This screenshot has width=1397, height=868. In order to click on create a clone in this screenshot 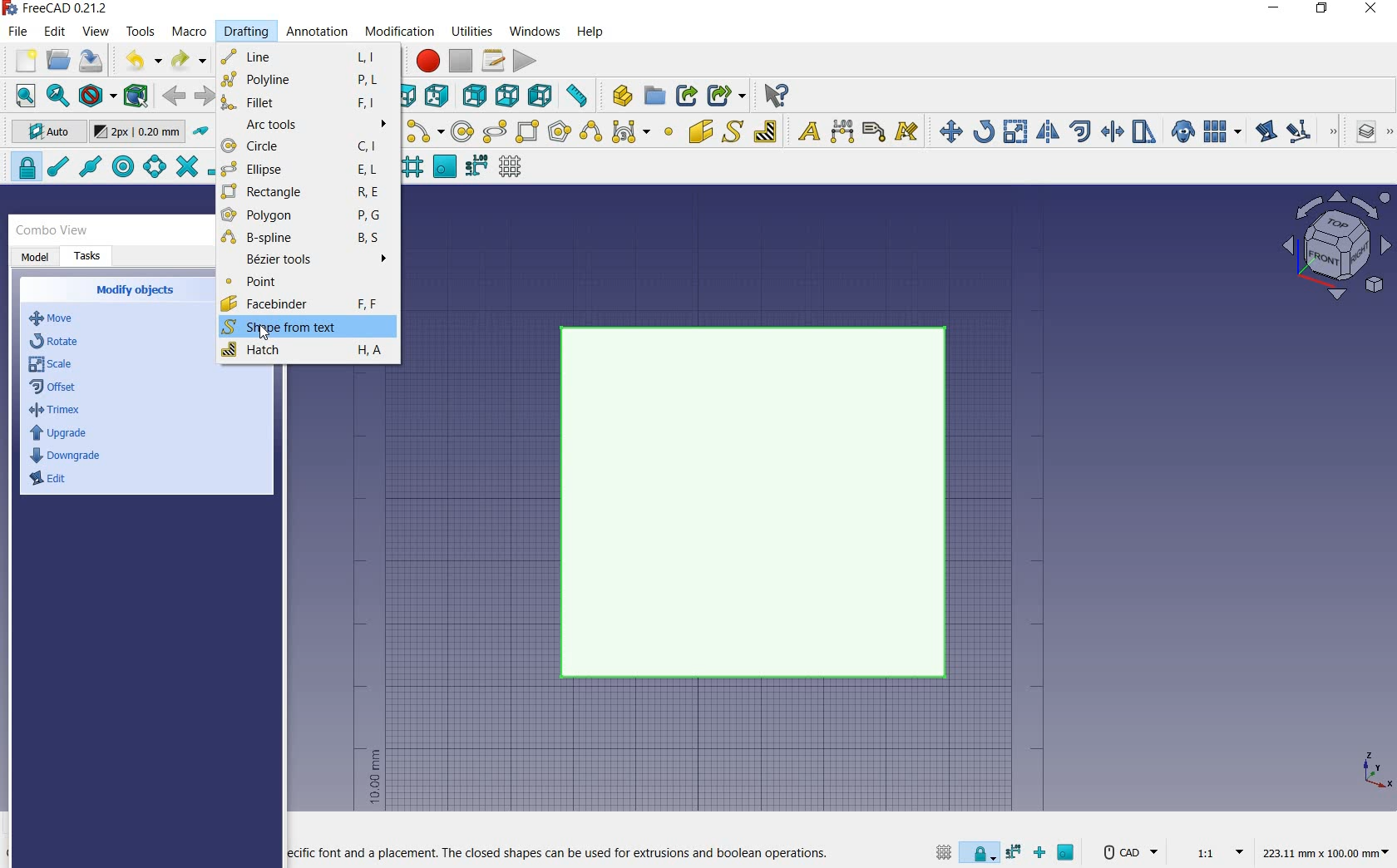, I will do `click(1181, 133)`.